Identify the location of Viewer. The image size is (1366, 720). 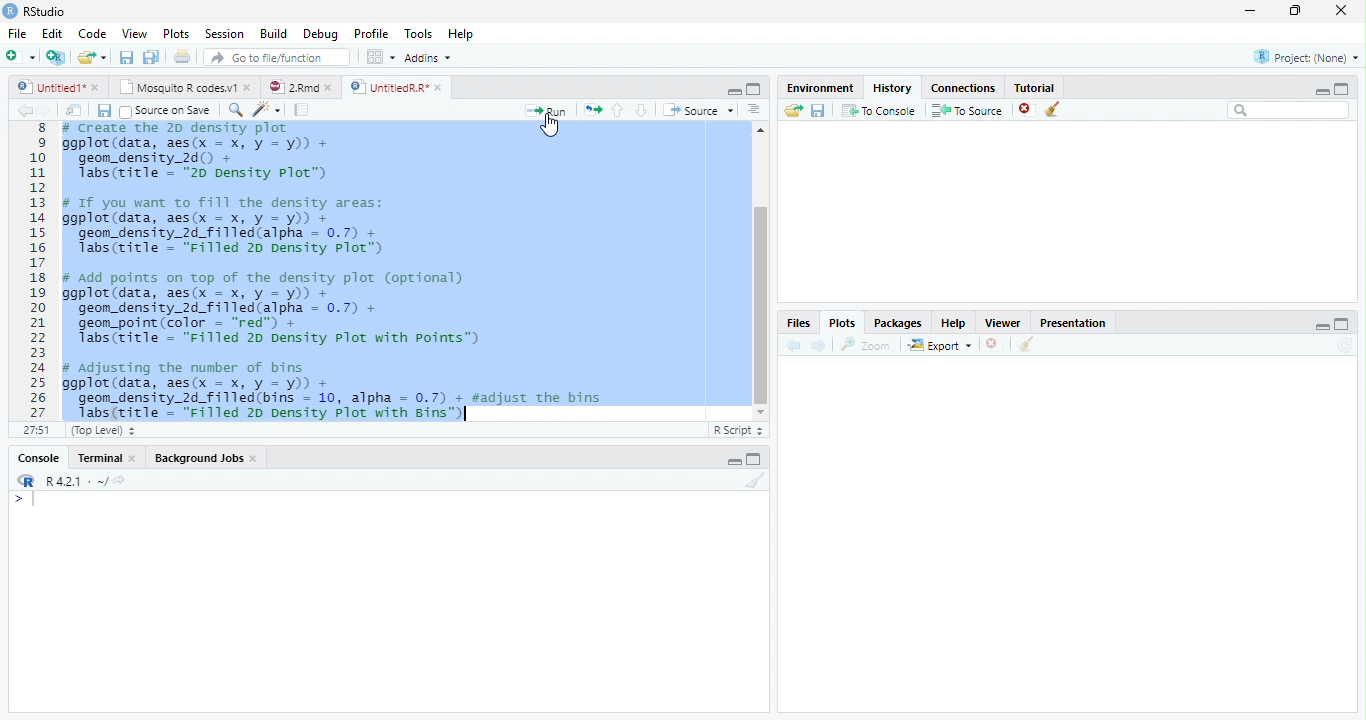
(1001, 322).